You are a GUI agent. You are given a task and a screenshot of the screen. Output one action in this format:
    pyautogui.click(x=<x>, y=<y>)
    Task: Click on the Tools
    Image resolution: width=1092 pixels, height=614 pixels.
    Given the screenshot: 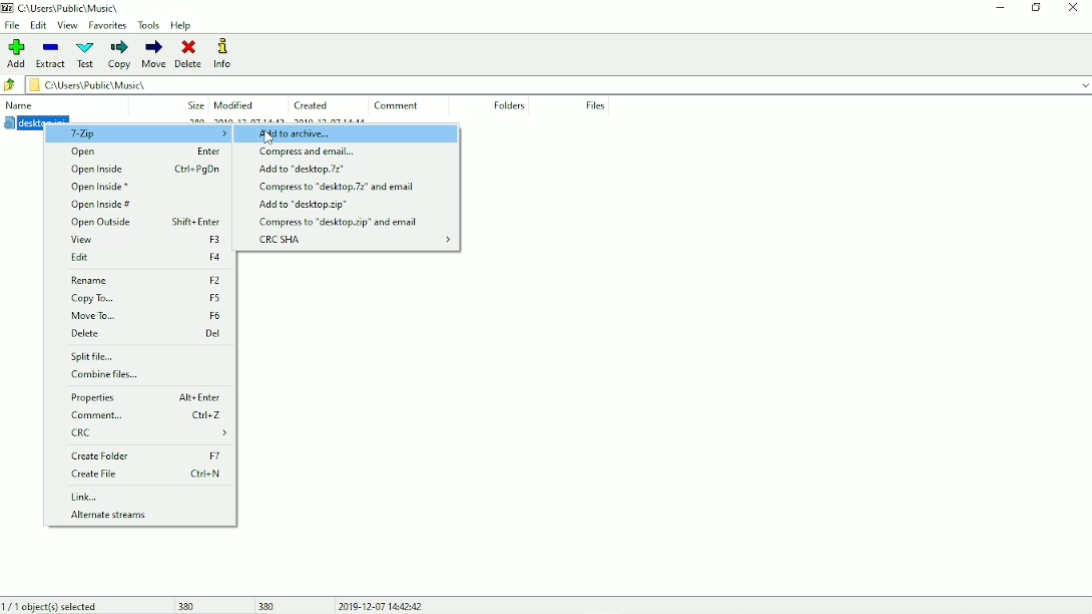 What is the action you would take?
    pyautogui.click(x=149, y=25)
    